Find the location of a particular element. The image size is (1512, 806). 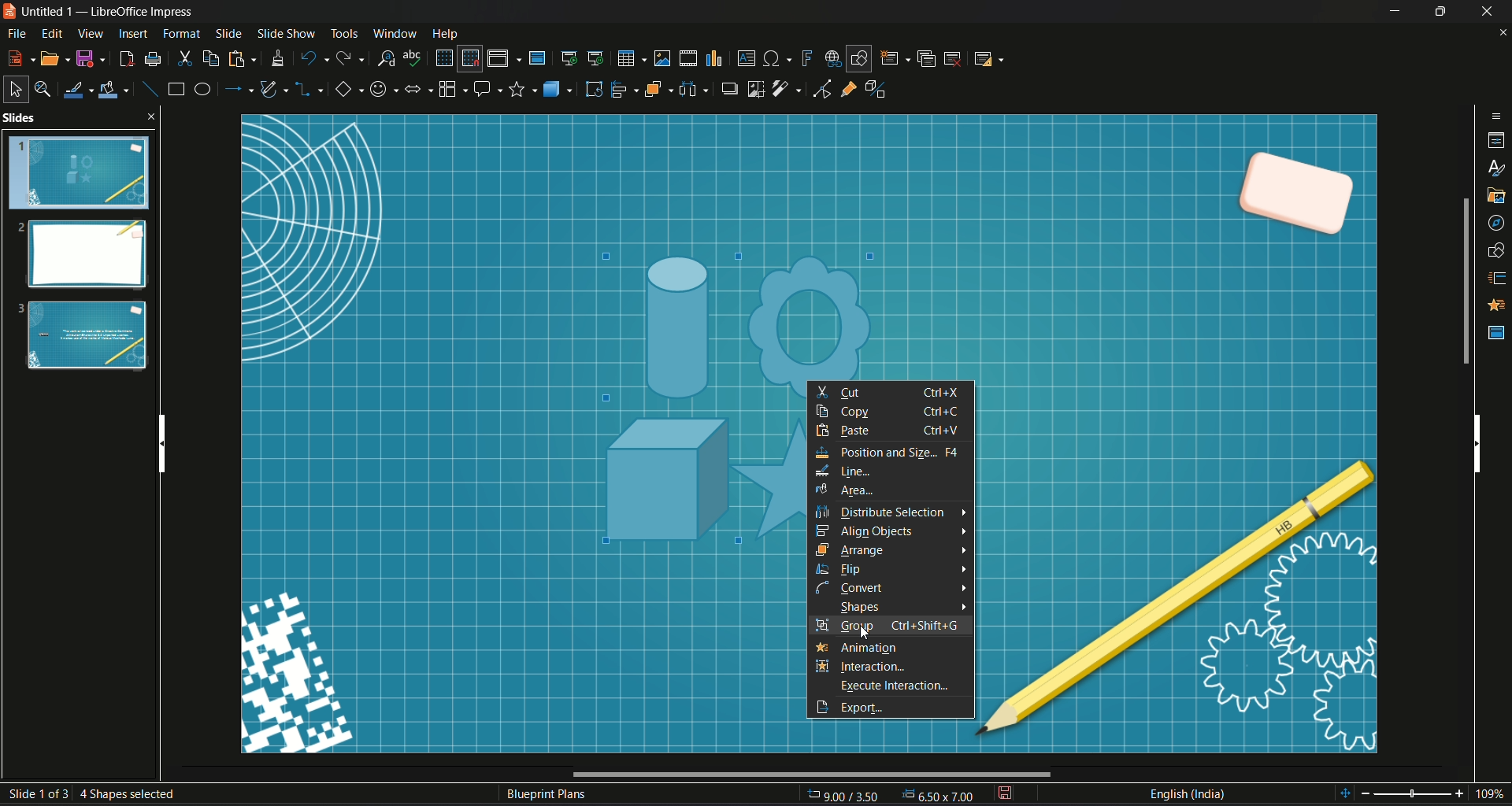

insert special character is located at coordinates (778, 57).